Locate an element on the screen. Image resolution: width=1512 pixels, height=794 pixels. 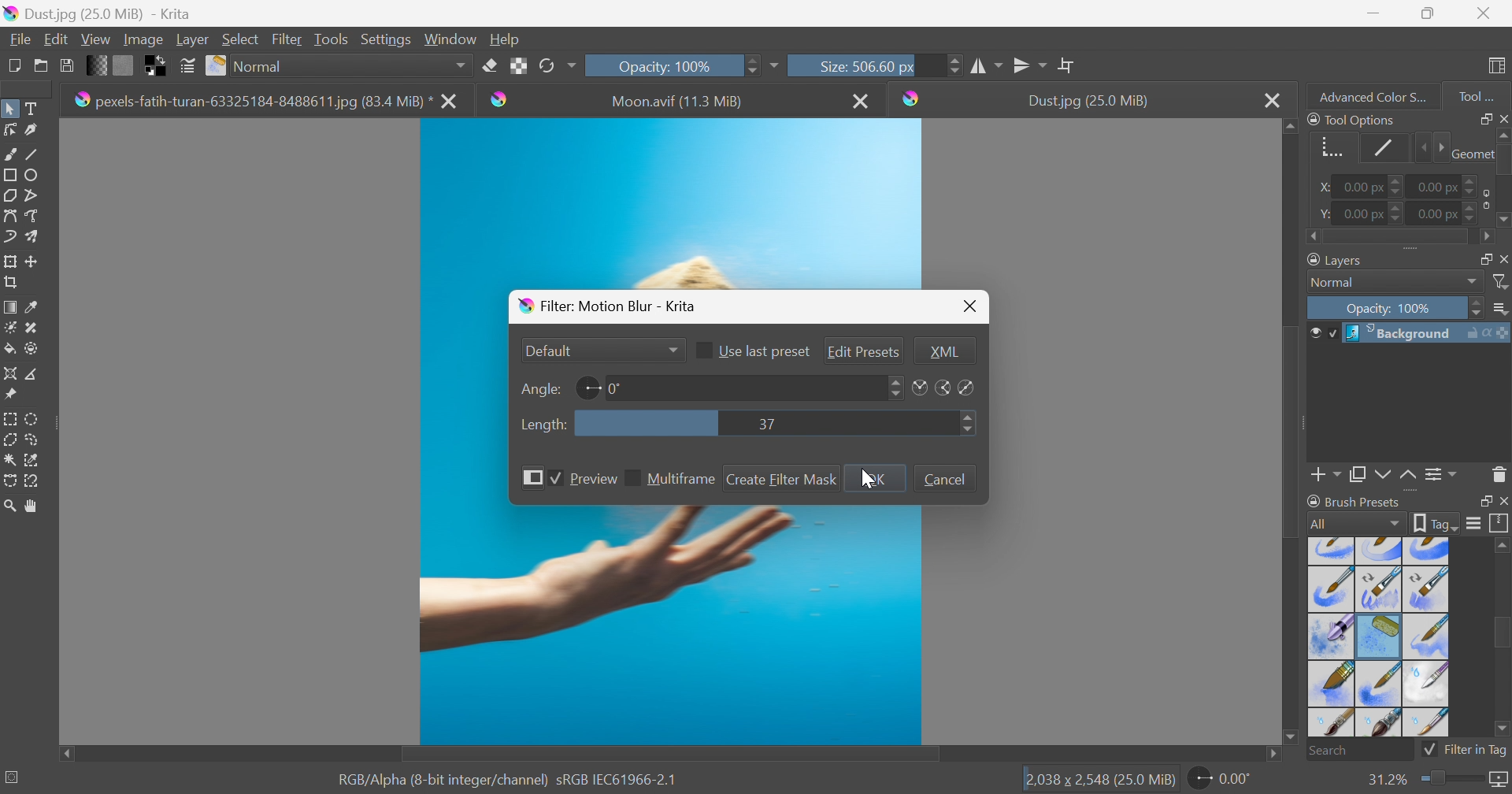
Angles is located at coordinates (943, 388).